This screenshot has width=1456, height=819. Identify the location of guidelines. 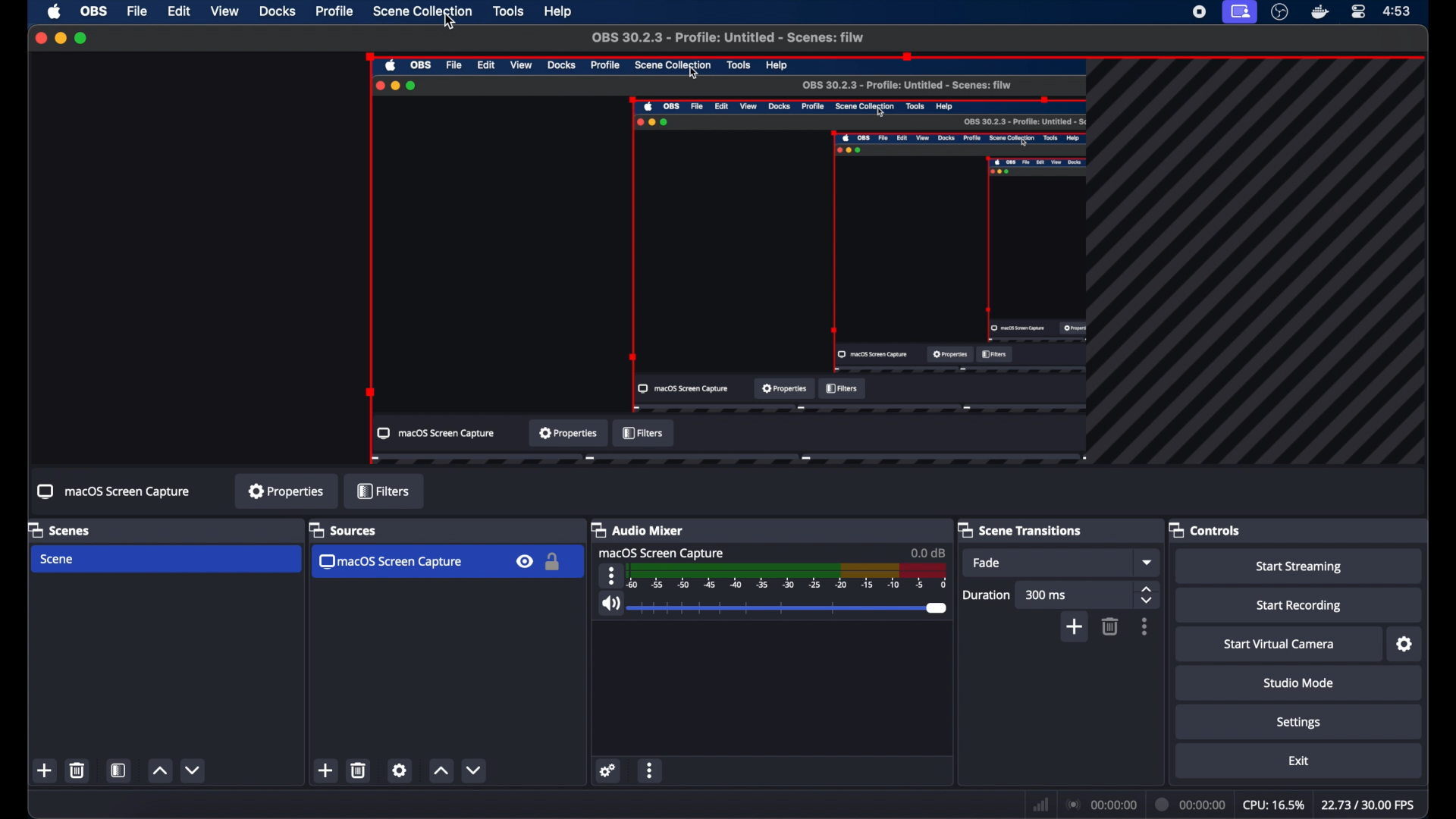
(1262, 265).